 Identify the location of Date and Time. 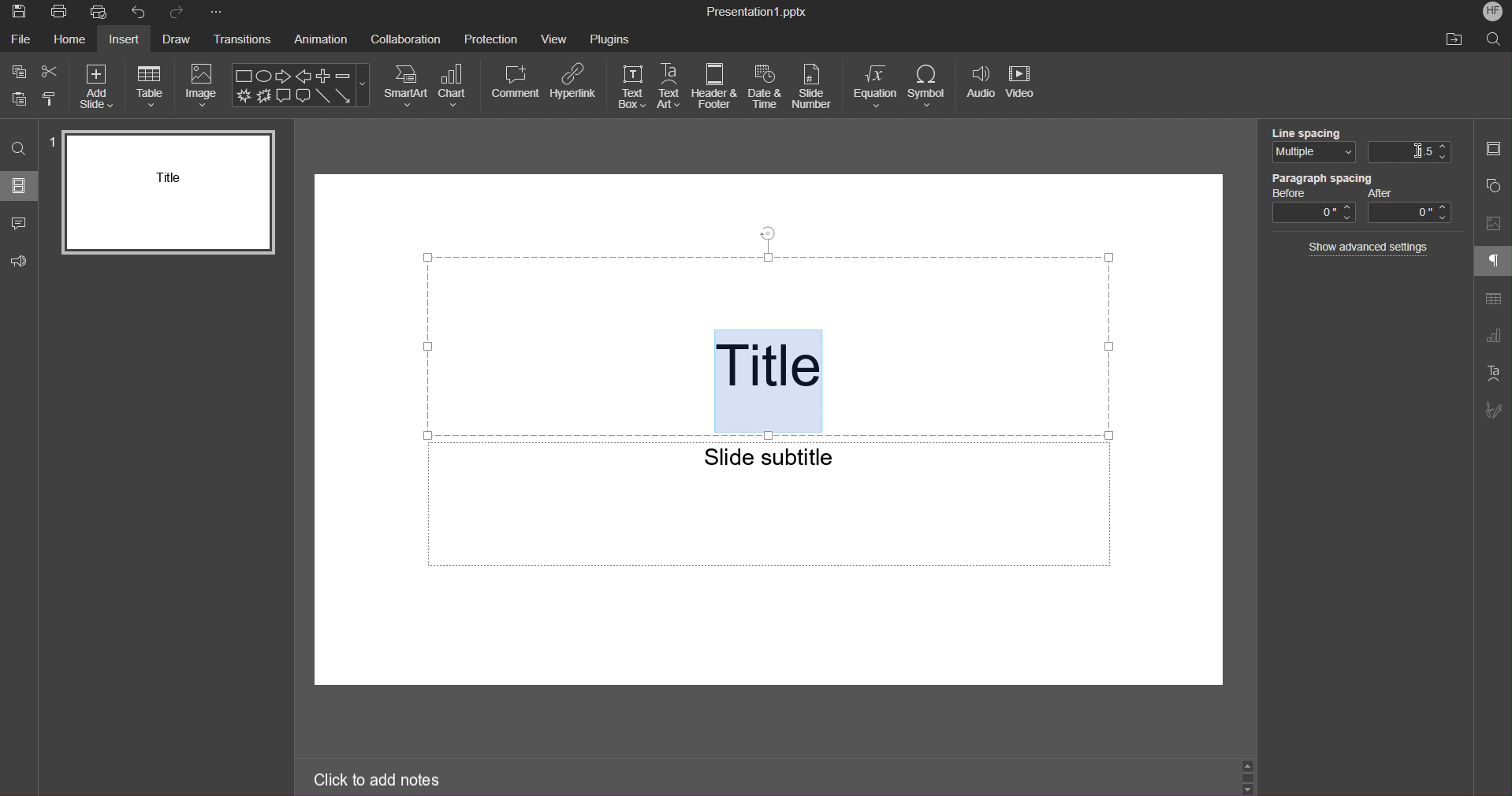
(766, 88).